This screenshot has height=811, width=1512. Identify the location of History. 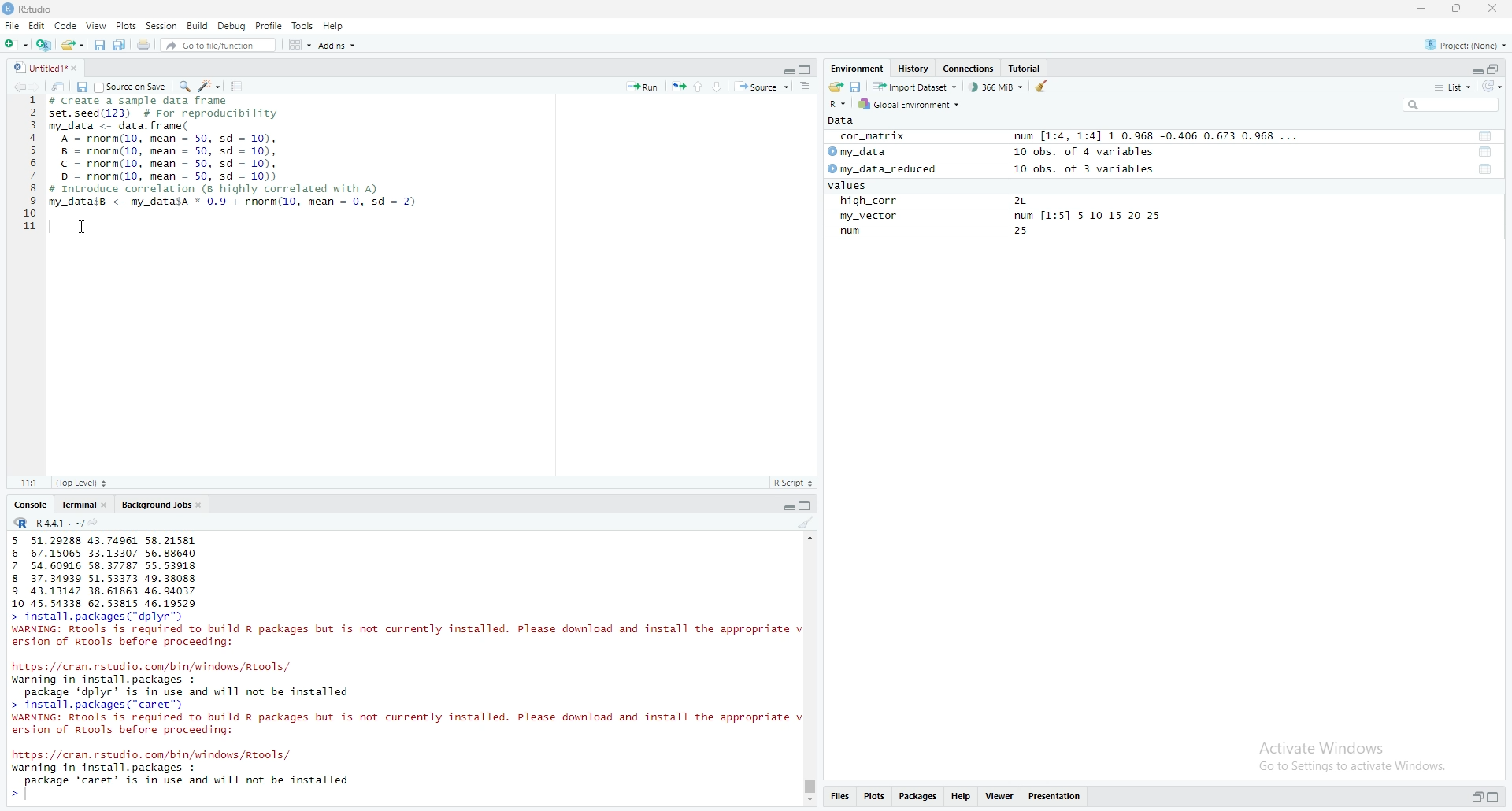
(914, 67).